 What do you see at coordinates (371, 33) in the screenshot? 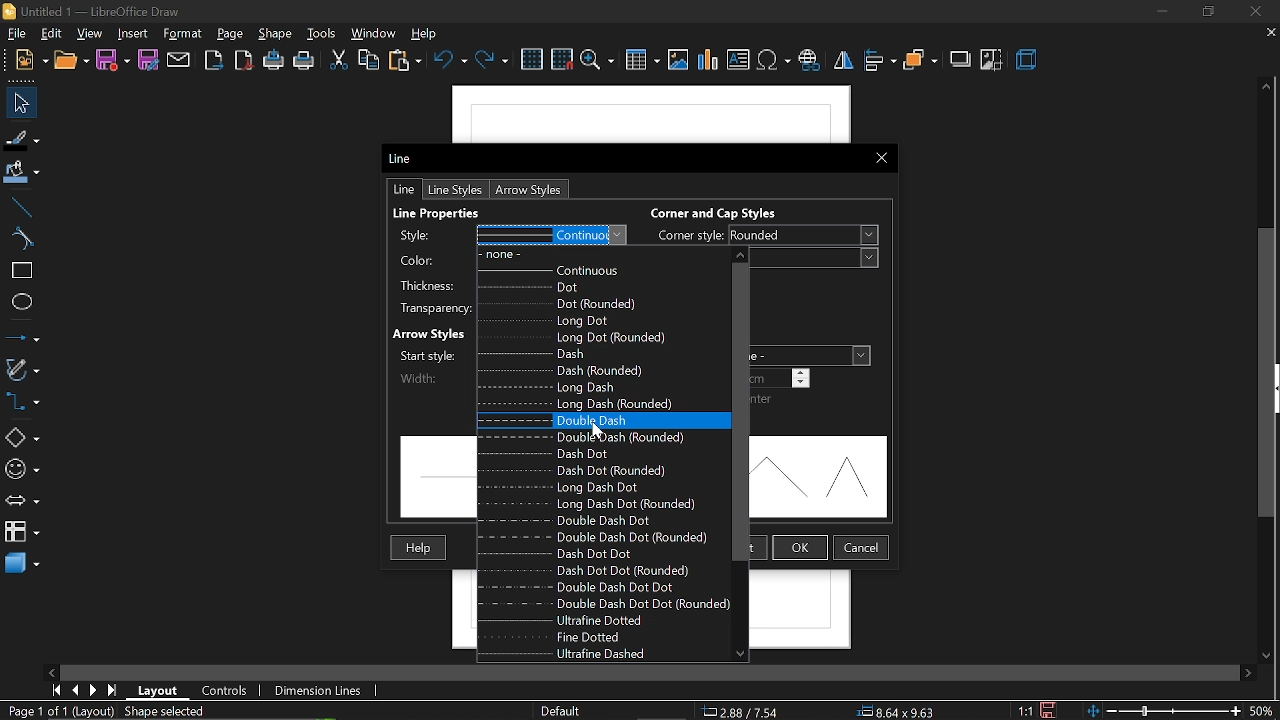
I see `window` at bounding box center [371, 33].